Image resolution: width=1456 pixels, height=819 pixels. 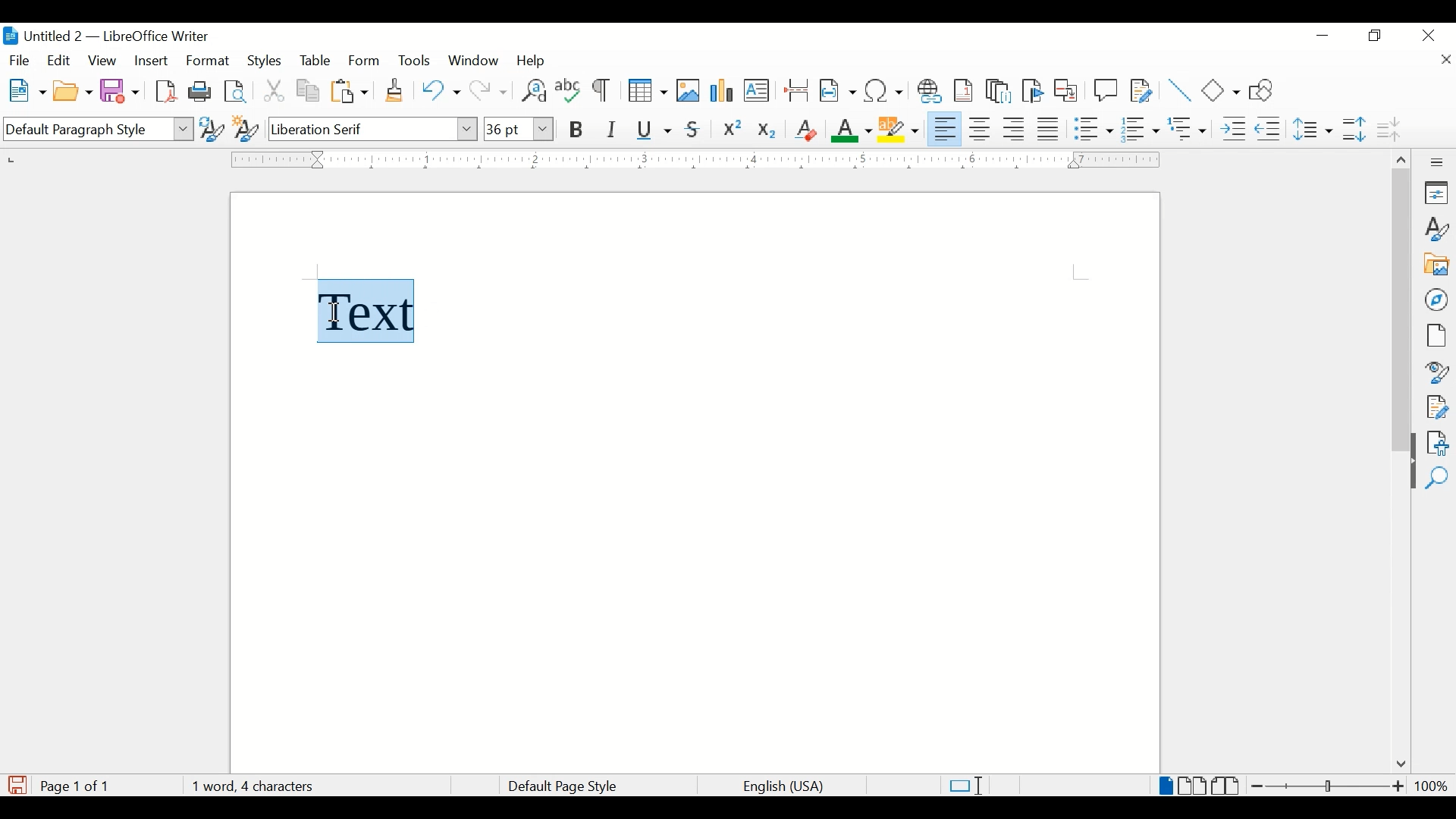 What do you see at coordinates (1438, 300) in the screenshot?
I see `navigator` at bounding box center [1438, 300].